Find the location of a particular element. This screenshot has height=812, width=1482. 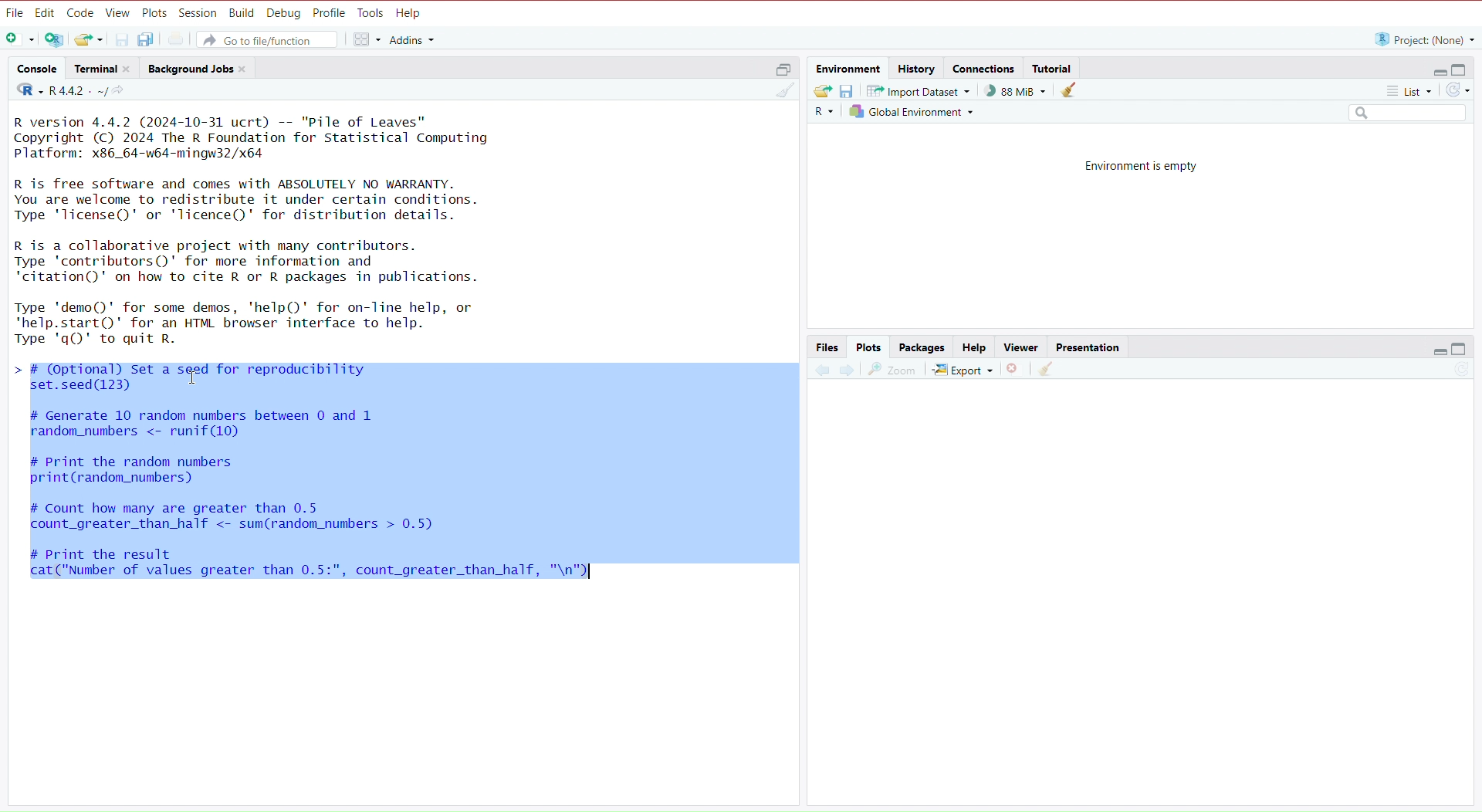

Full Height is located at coordinates (1461, 349).